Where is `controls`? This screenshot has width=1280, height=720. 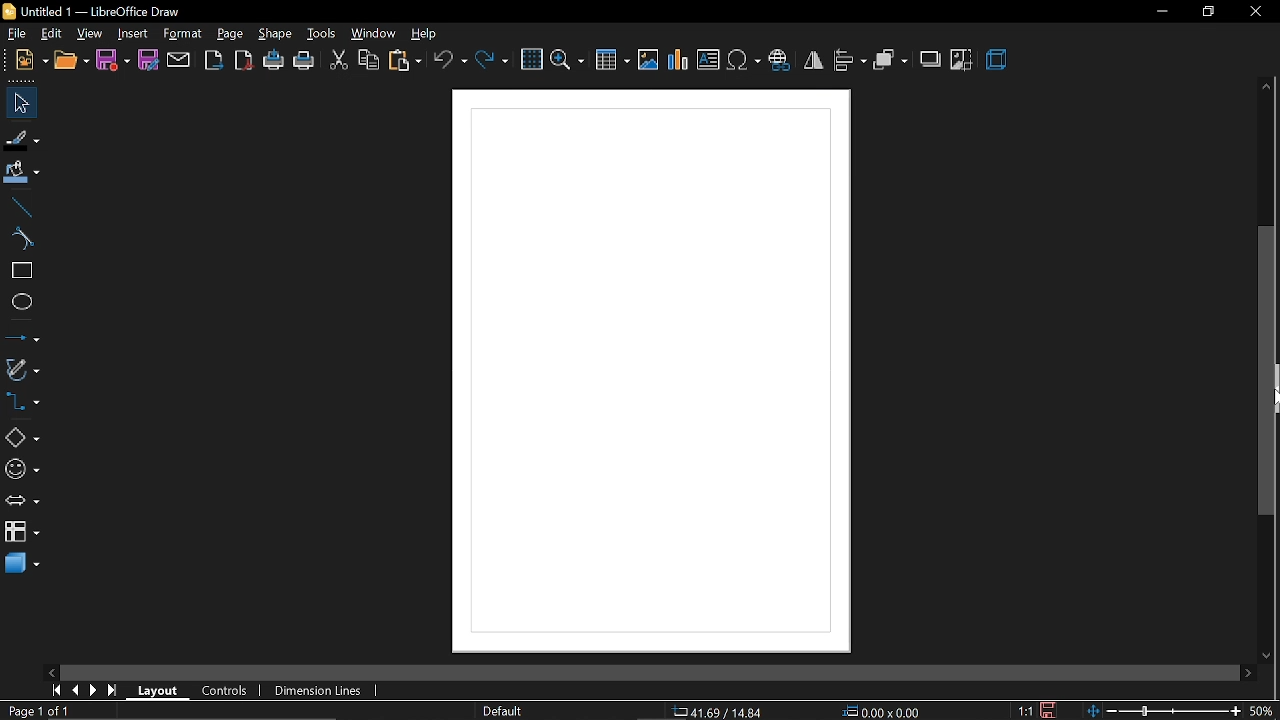 controls is located at coordinates (223, 692).